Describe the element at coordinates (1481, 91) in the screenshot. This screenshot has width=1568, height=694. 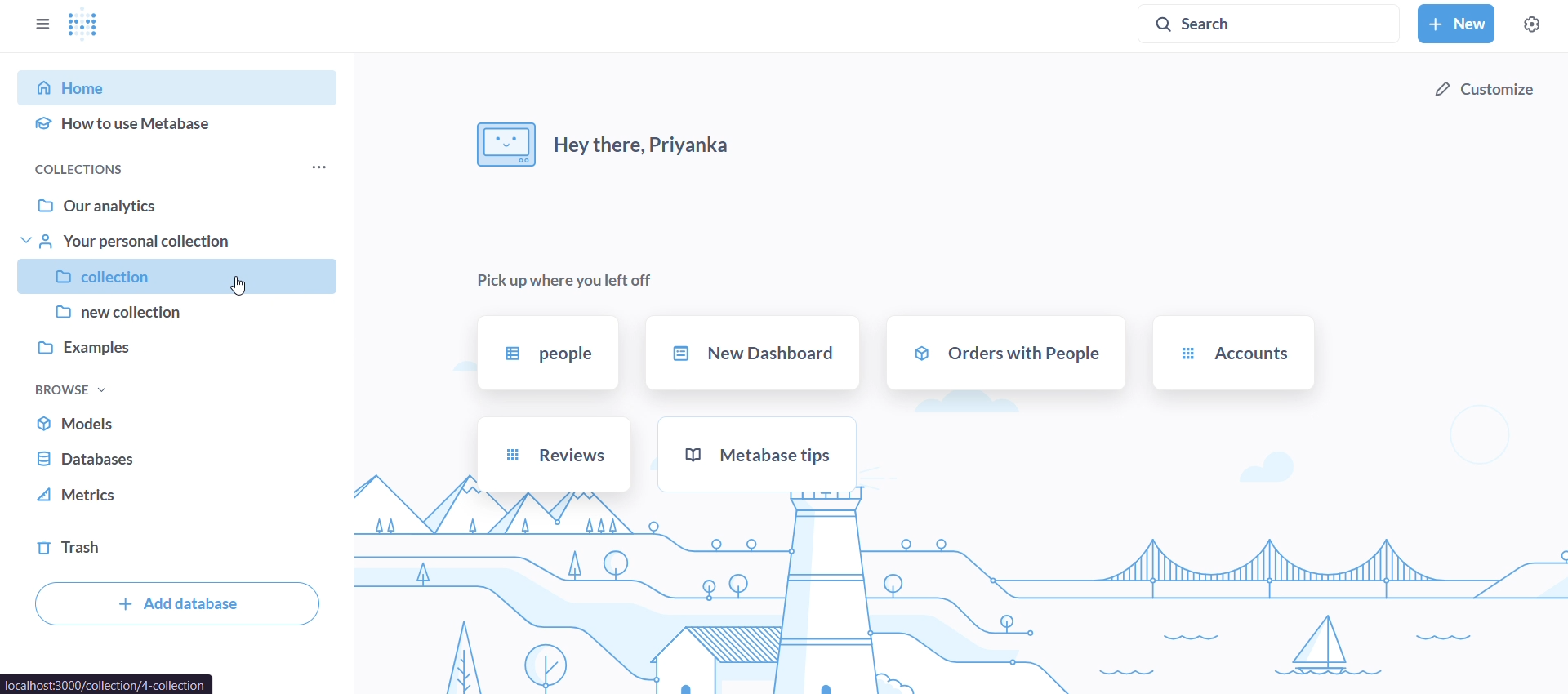
I see `customize` at that location.